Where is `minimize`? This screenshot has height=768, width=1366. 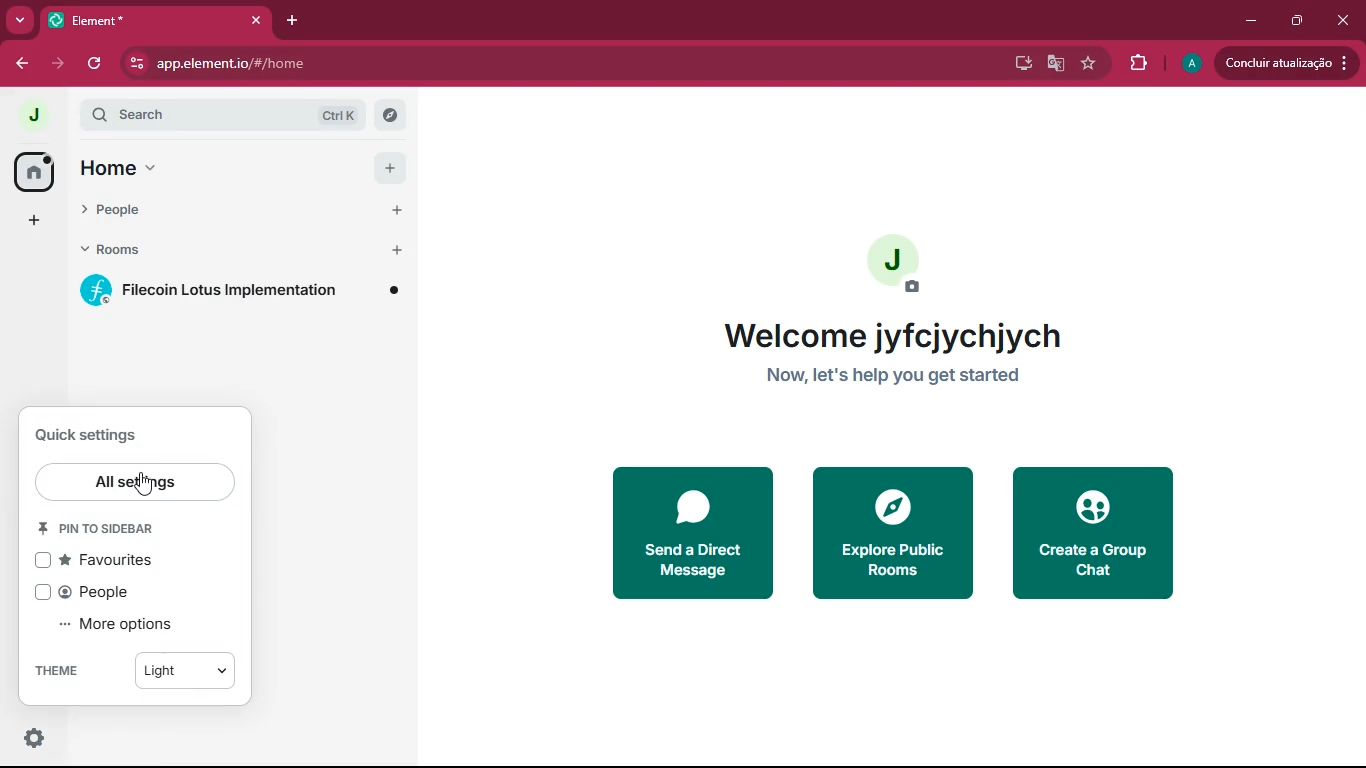
minimize is located at coordinates (1252, 20).